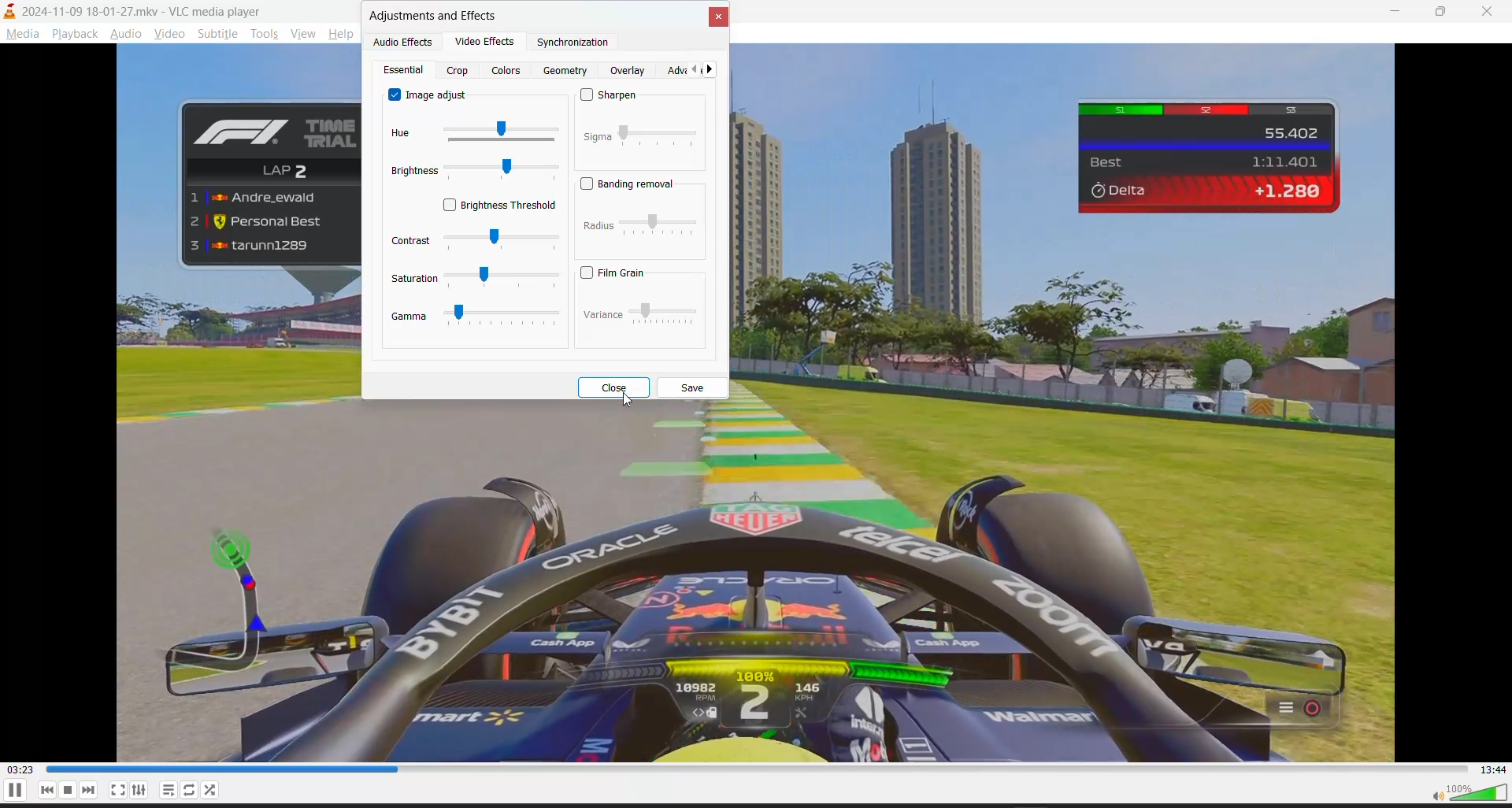  I want to click on help, so click(344, 32).